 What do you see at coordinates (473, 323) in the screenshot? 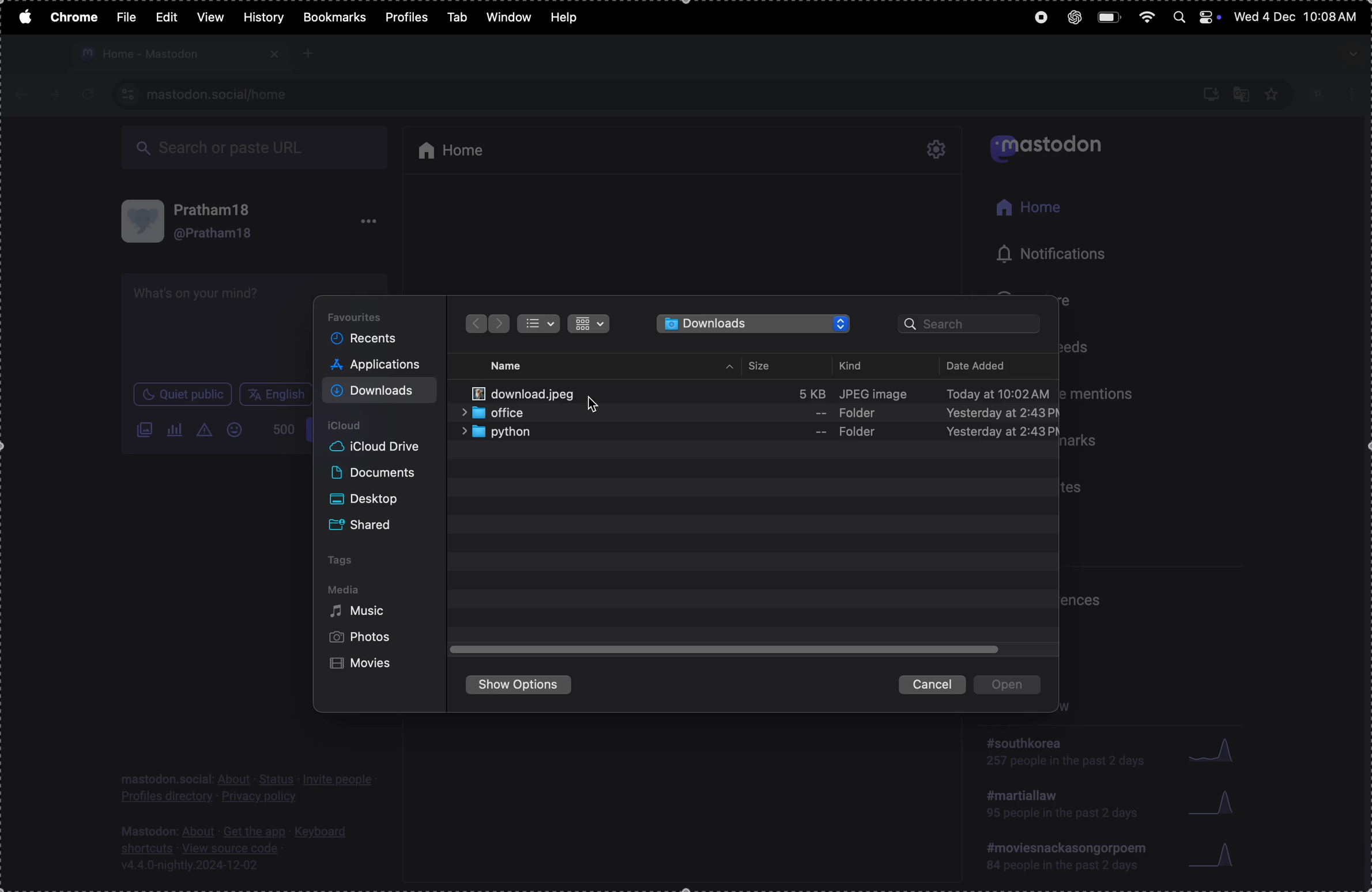
I see `backward` at bounding box center [473, 323].